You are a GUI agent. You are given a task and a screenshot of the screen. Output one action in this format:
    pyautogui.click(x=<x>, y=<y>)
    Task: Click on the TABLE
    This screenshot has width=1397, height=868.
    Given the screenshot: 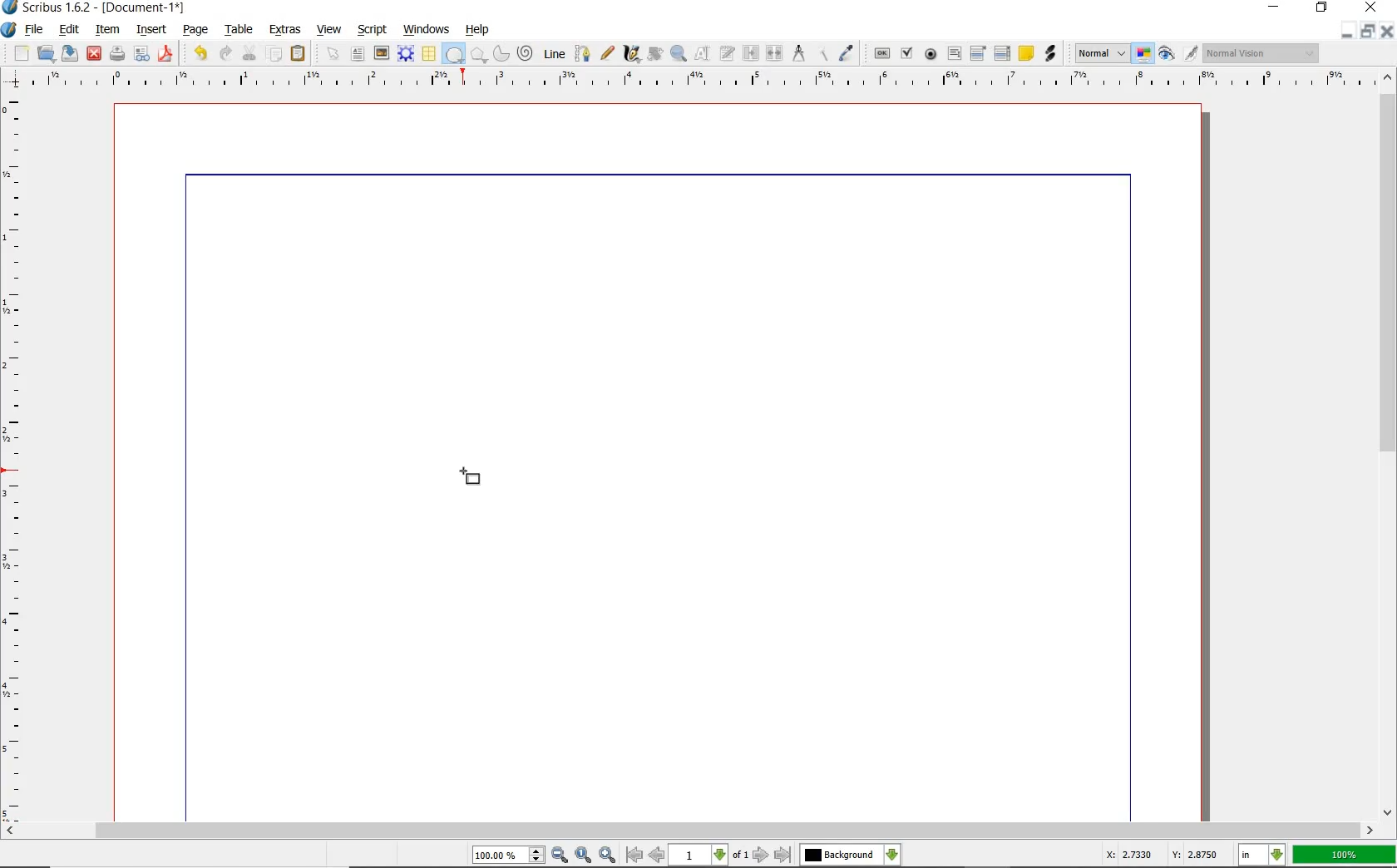 What is the action you would take?
    pyautogui.click(x=239, y=30)
    